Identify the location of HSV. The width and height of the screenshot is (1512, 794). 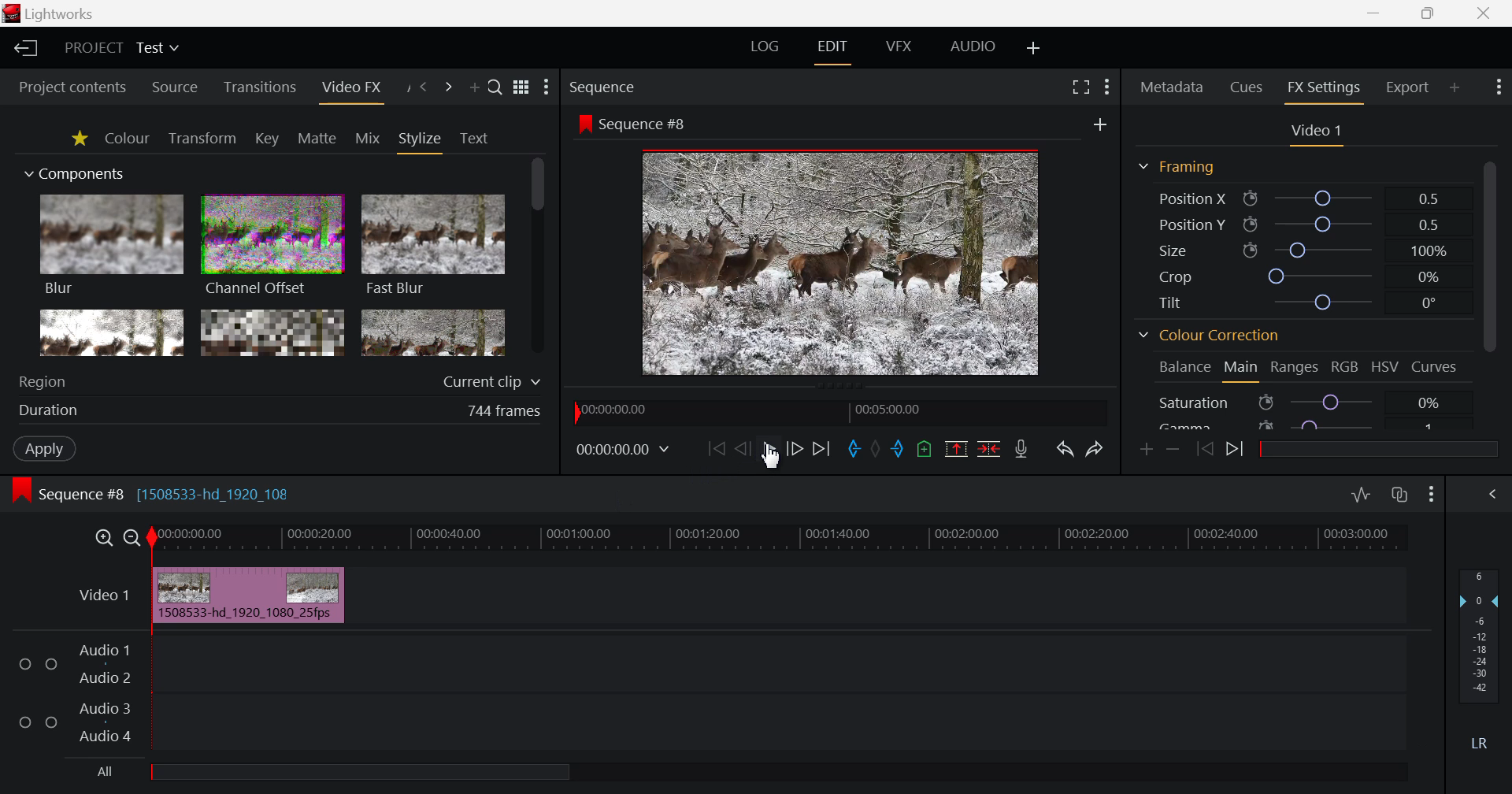
(1388, 368).